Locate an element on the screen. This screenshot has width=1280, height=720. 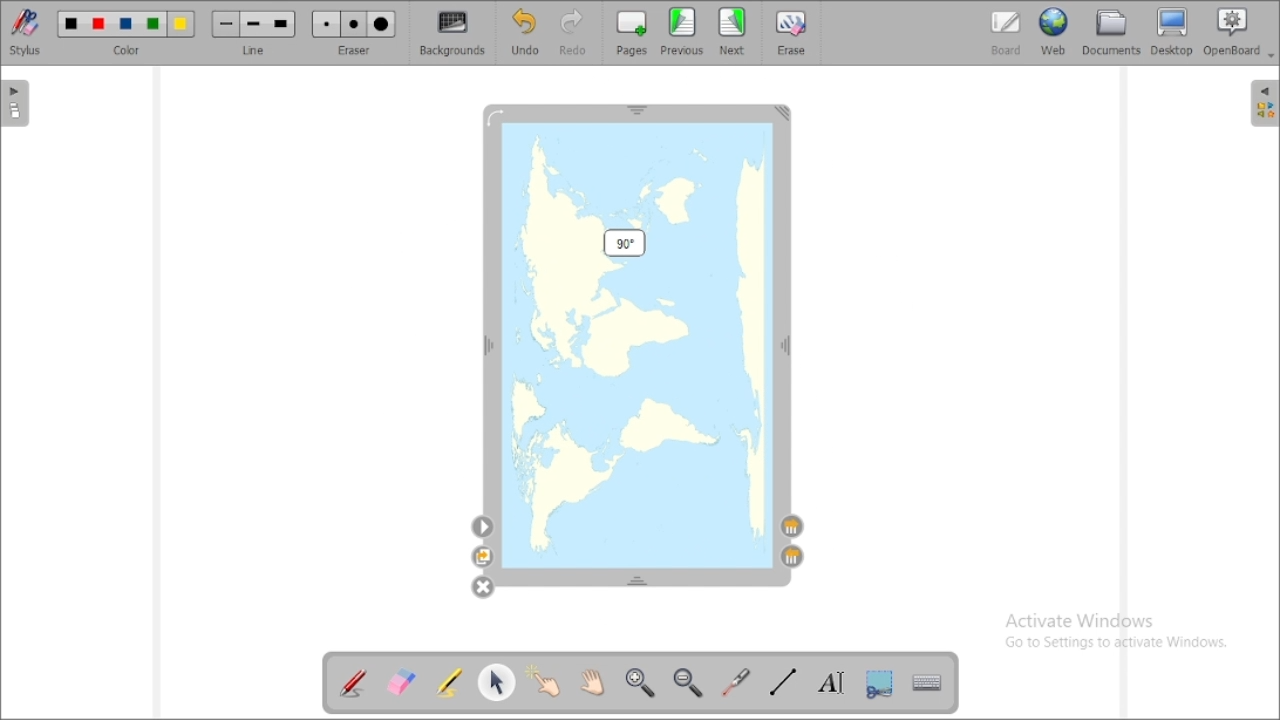
previous is located at coordinates (682, 31).